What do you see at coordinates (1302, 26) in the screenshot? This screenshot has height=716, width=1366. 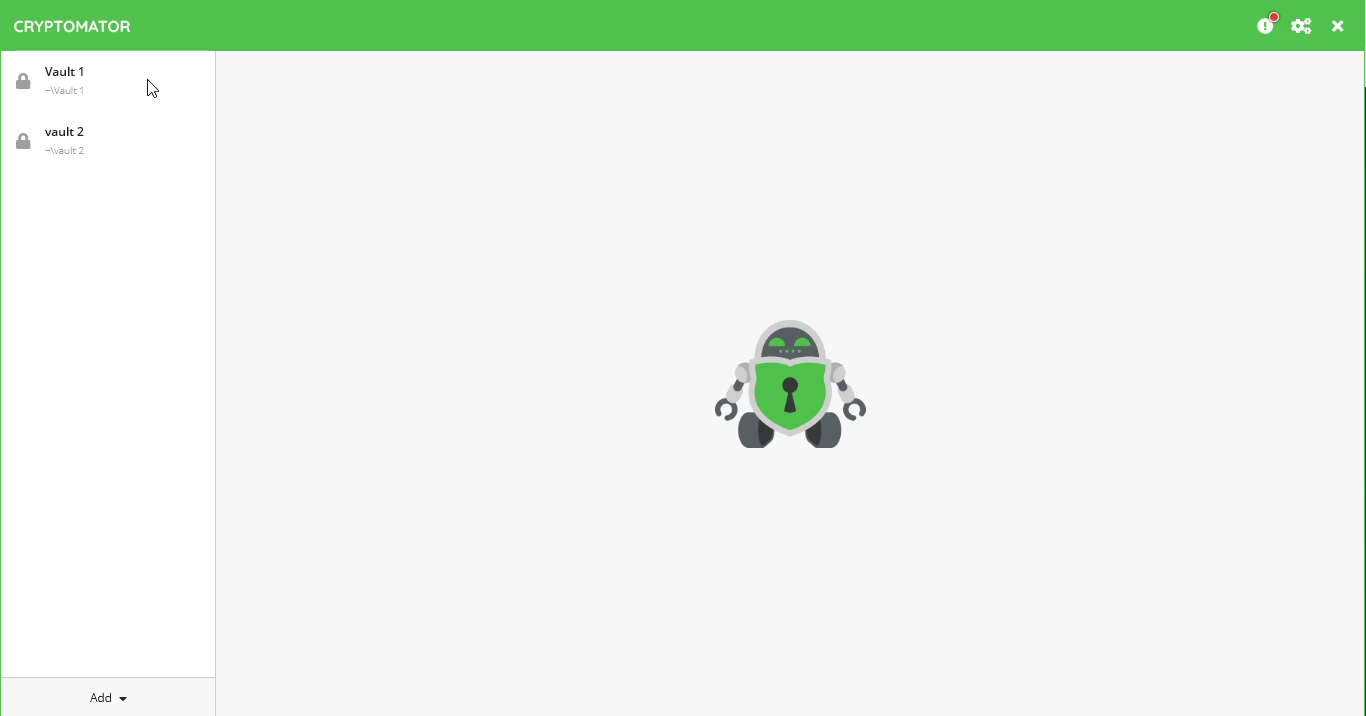 I see `preferences` at bounding box center [1302, 26].